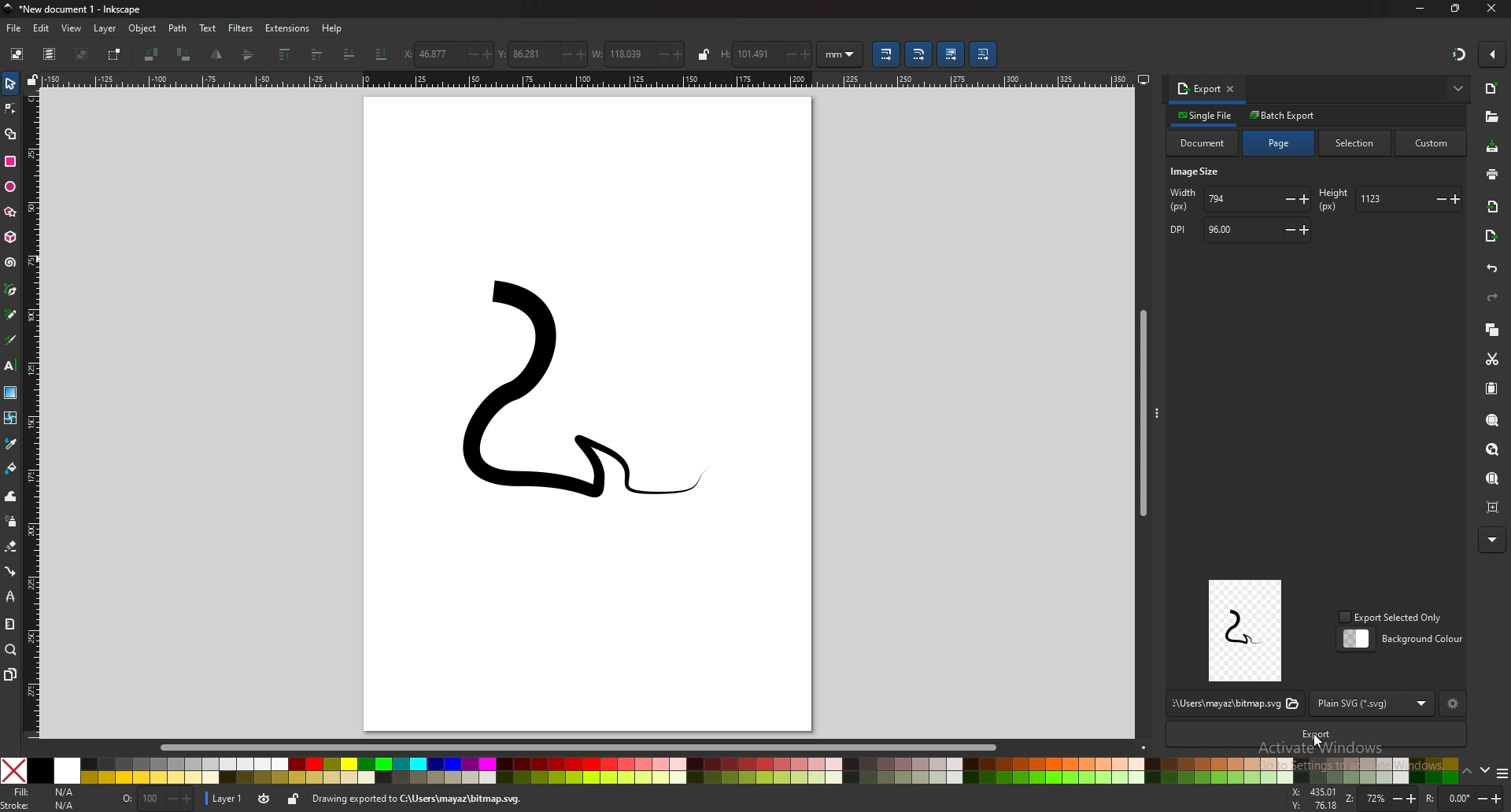  What do you see at coordinates (1456, 9) in the screenshot?
I see `resize` at bounding box center [1456, 9].